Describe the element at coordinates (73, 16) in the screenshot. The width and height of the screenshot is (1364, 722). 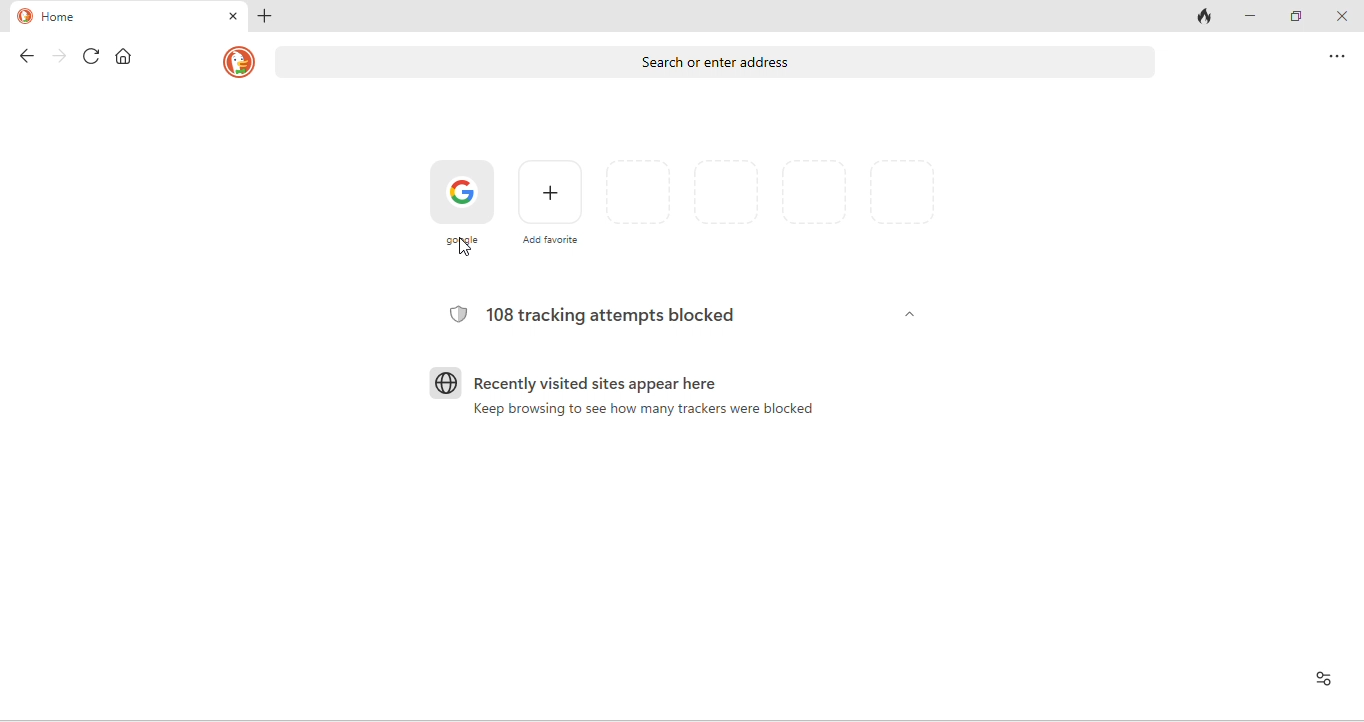
I see `home` at that location.